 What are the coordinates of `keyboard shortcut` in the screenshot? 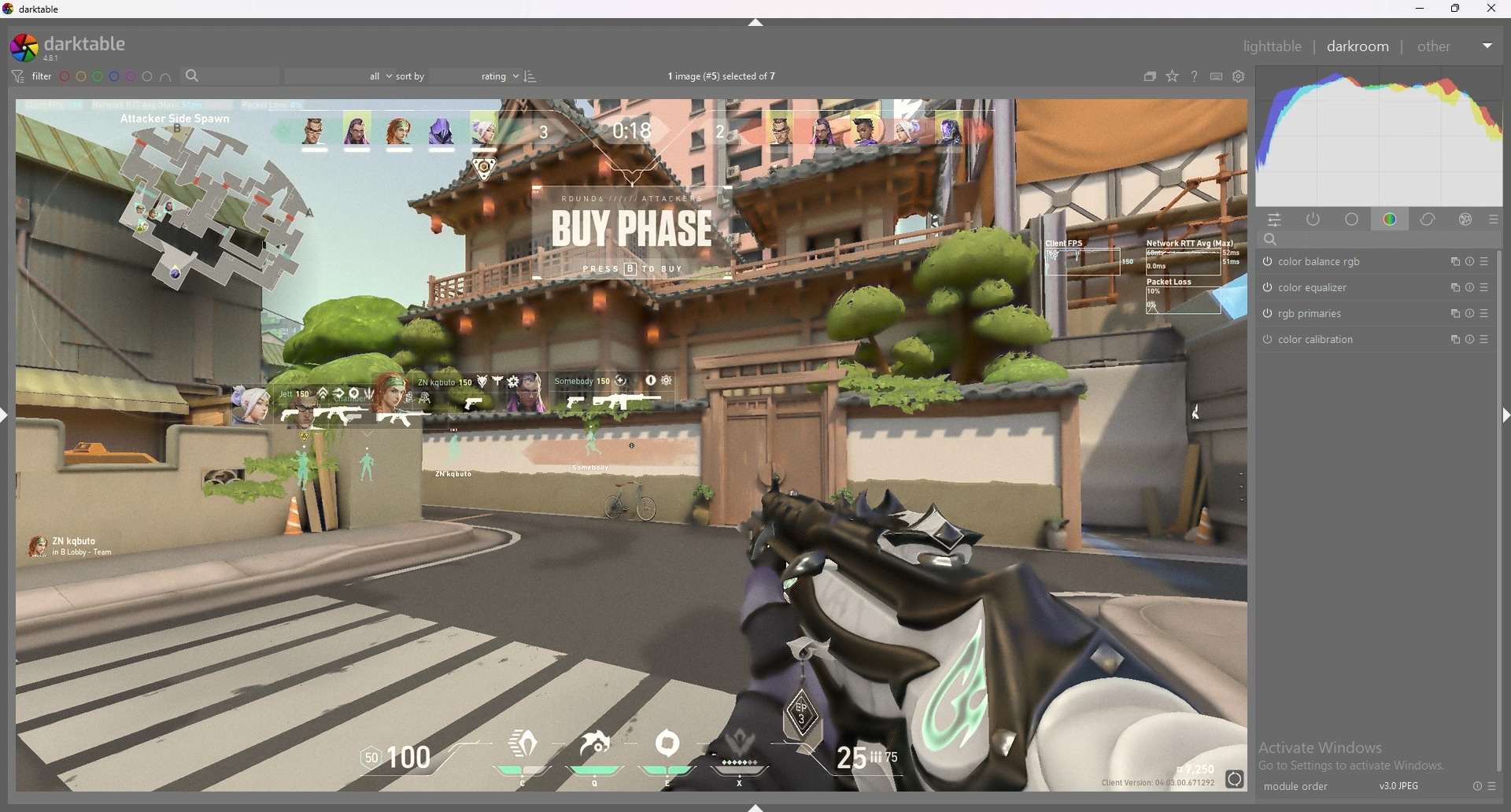 It's located at (1216, 77).